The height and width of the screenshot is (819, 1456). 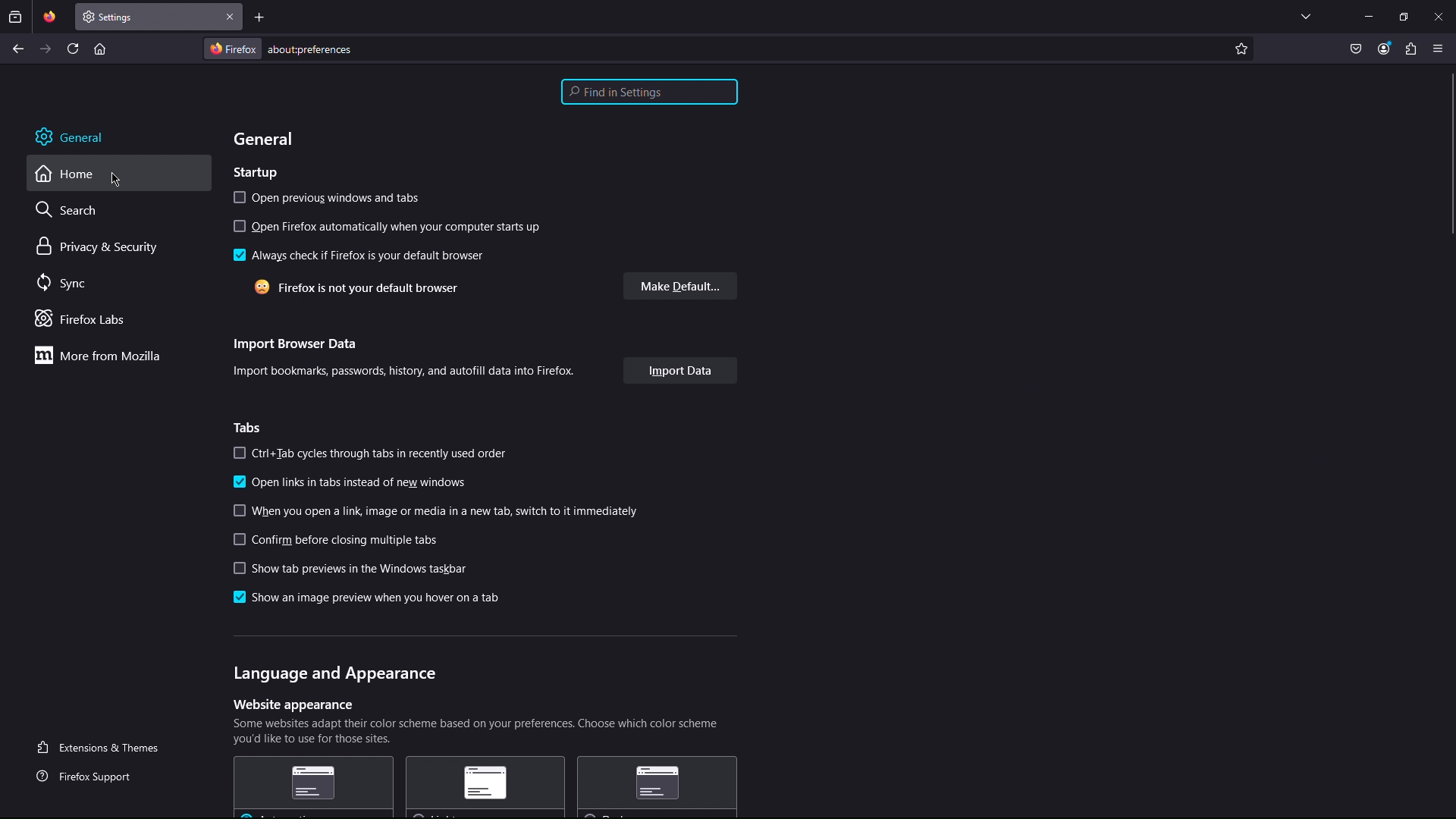 I want to click on Open links in tabs instead of new windows, so click(x=350, y=482).